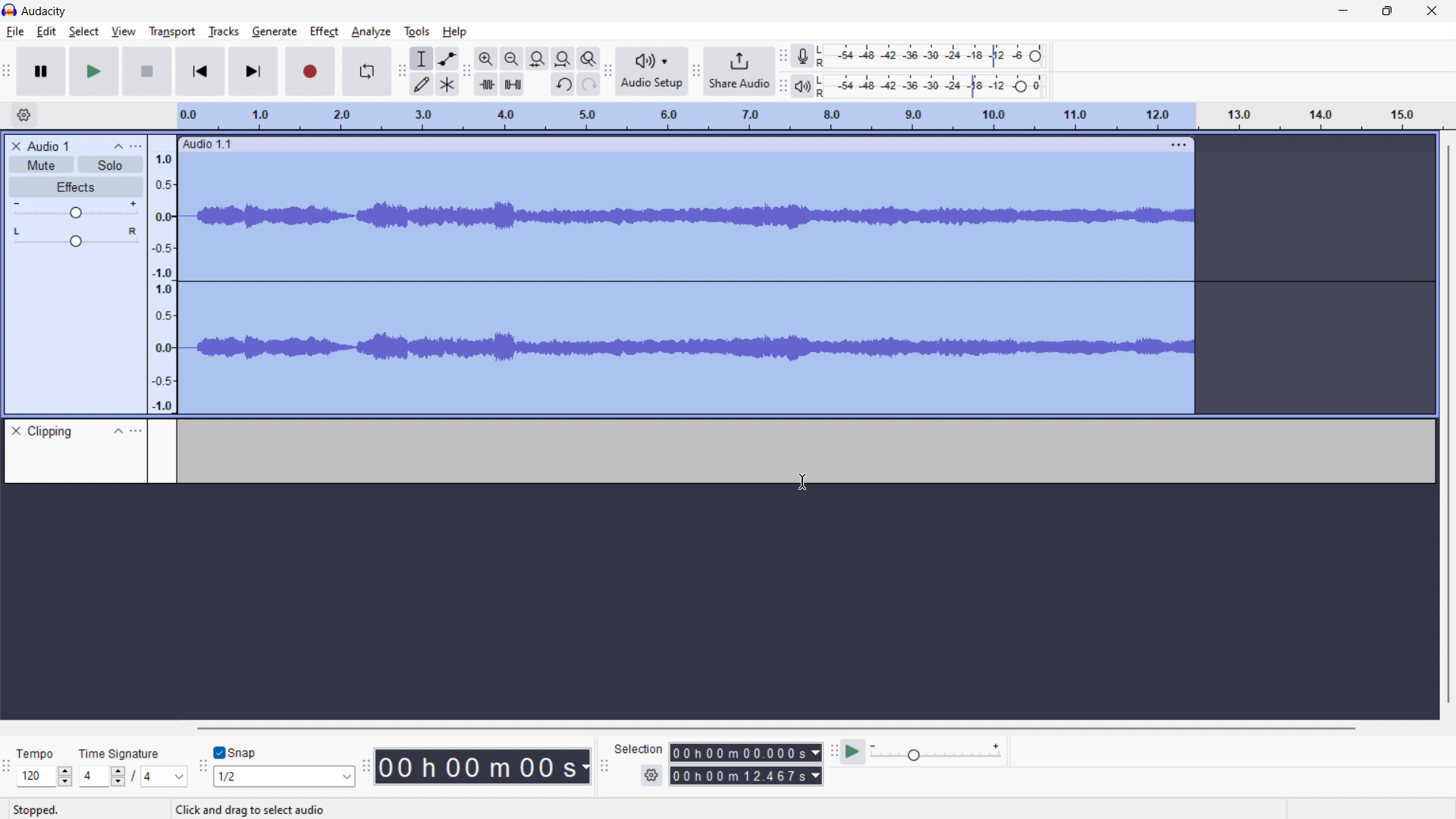  I want to click on clipping, so click(807, 444).